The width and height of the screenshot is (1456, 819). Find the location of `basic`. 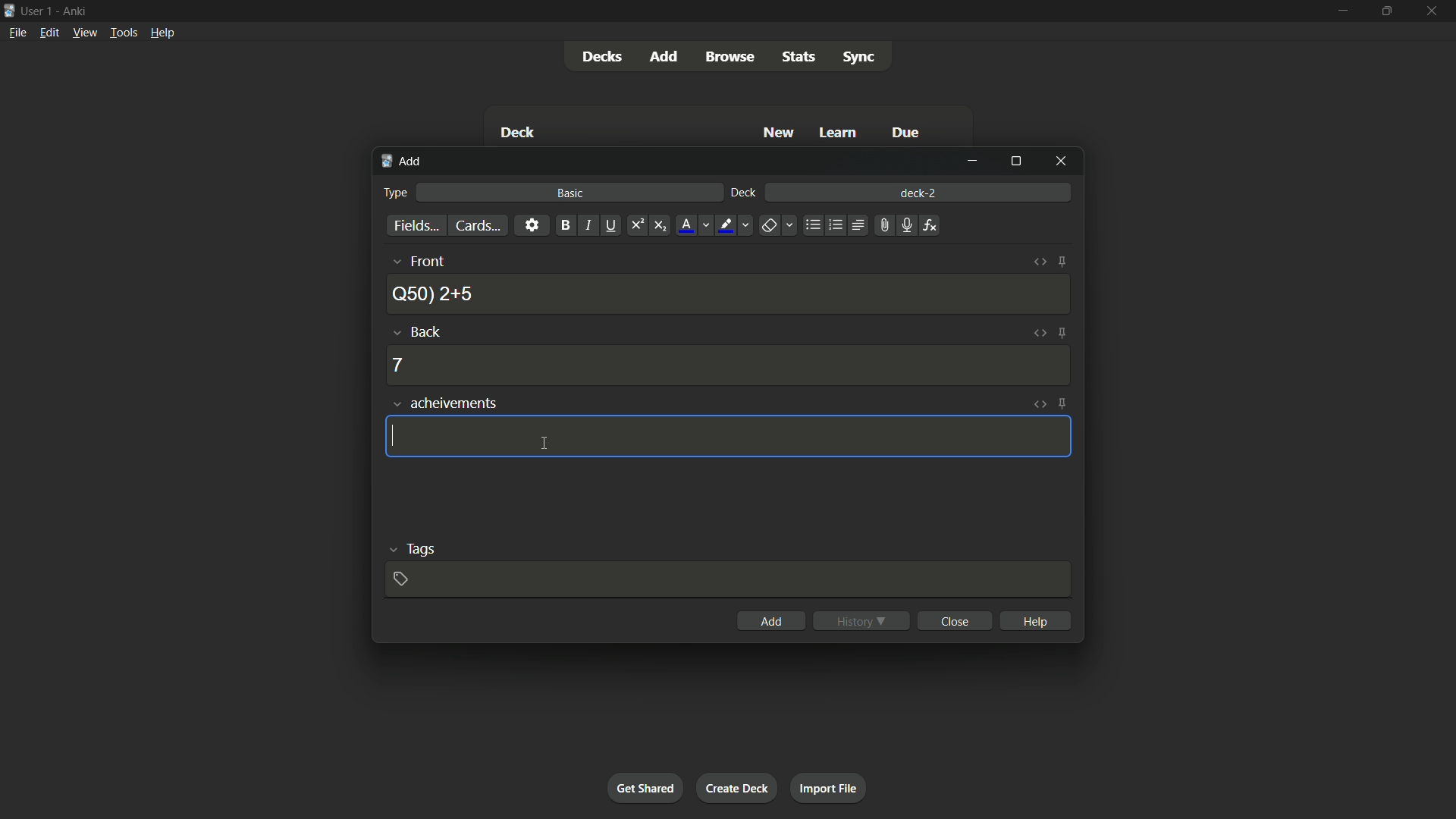

basic is located at coordinates (572, 193).